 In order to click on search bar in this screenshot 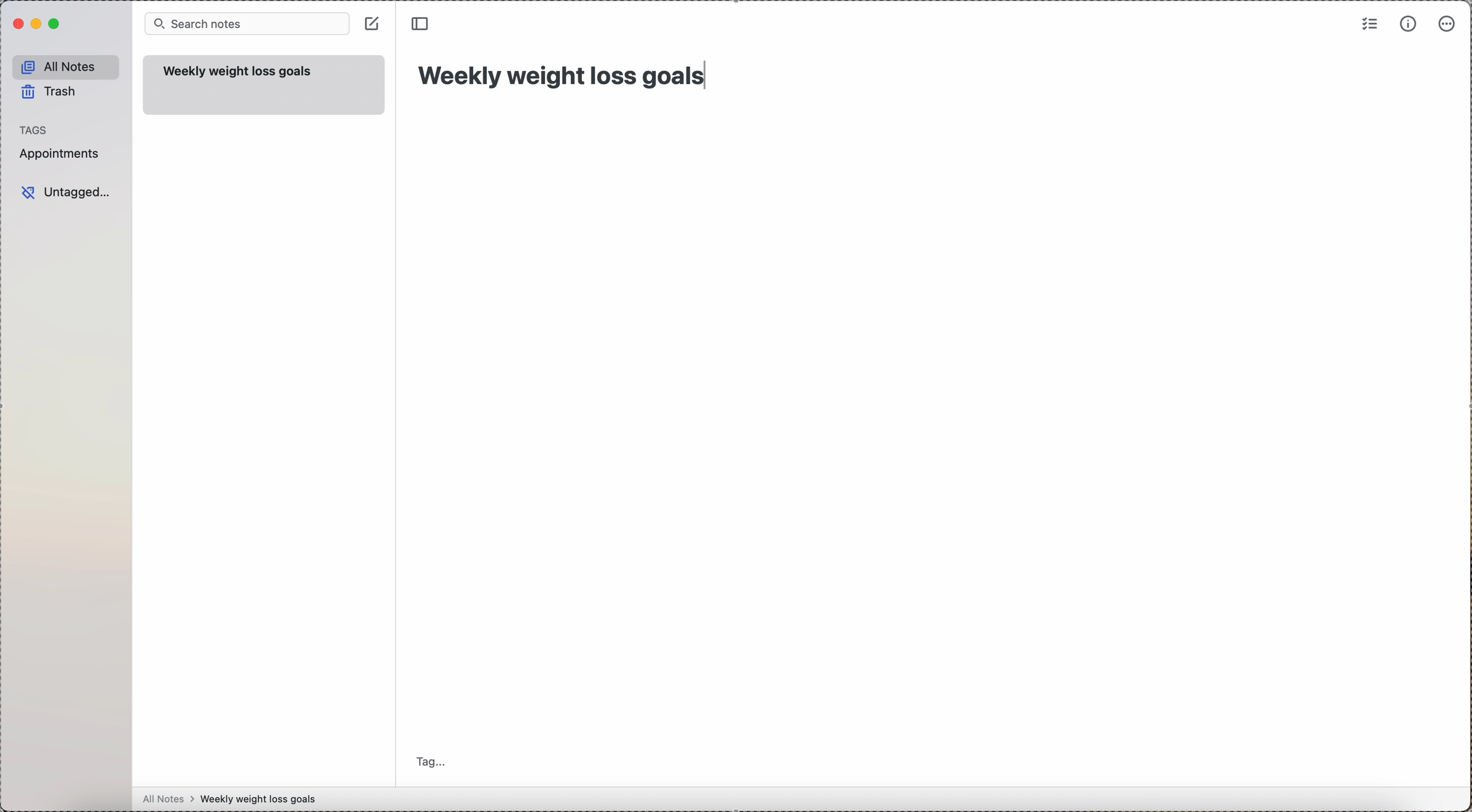, I will do `click(247, 24)`.